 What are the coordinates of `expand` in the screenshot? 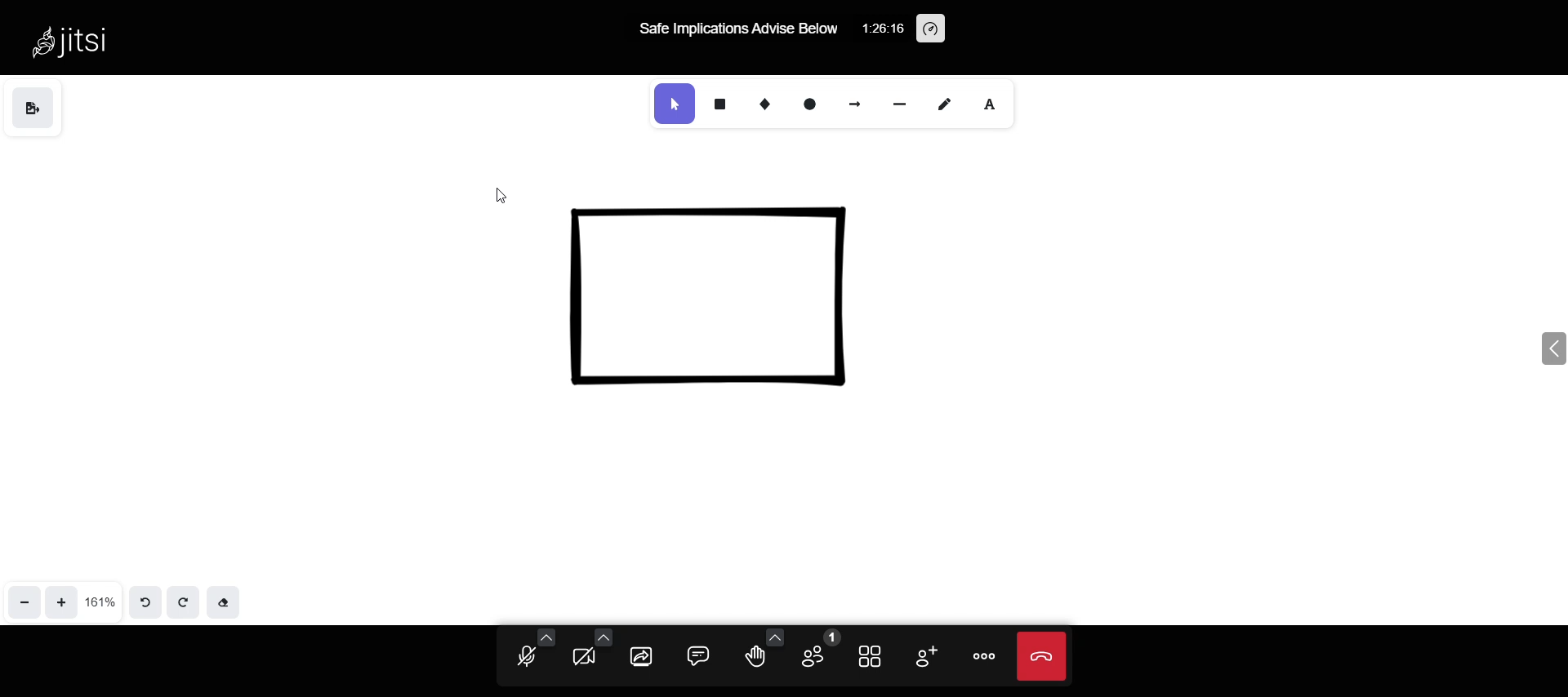 It's located at (1539, 348).